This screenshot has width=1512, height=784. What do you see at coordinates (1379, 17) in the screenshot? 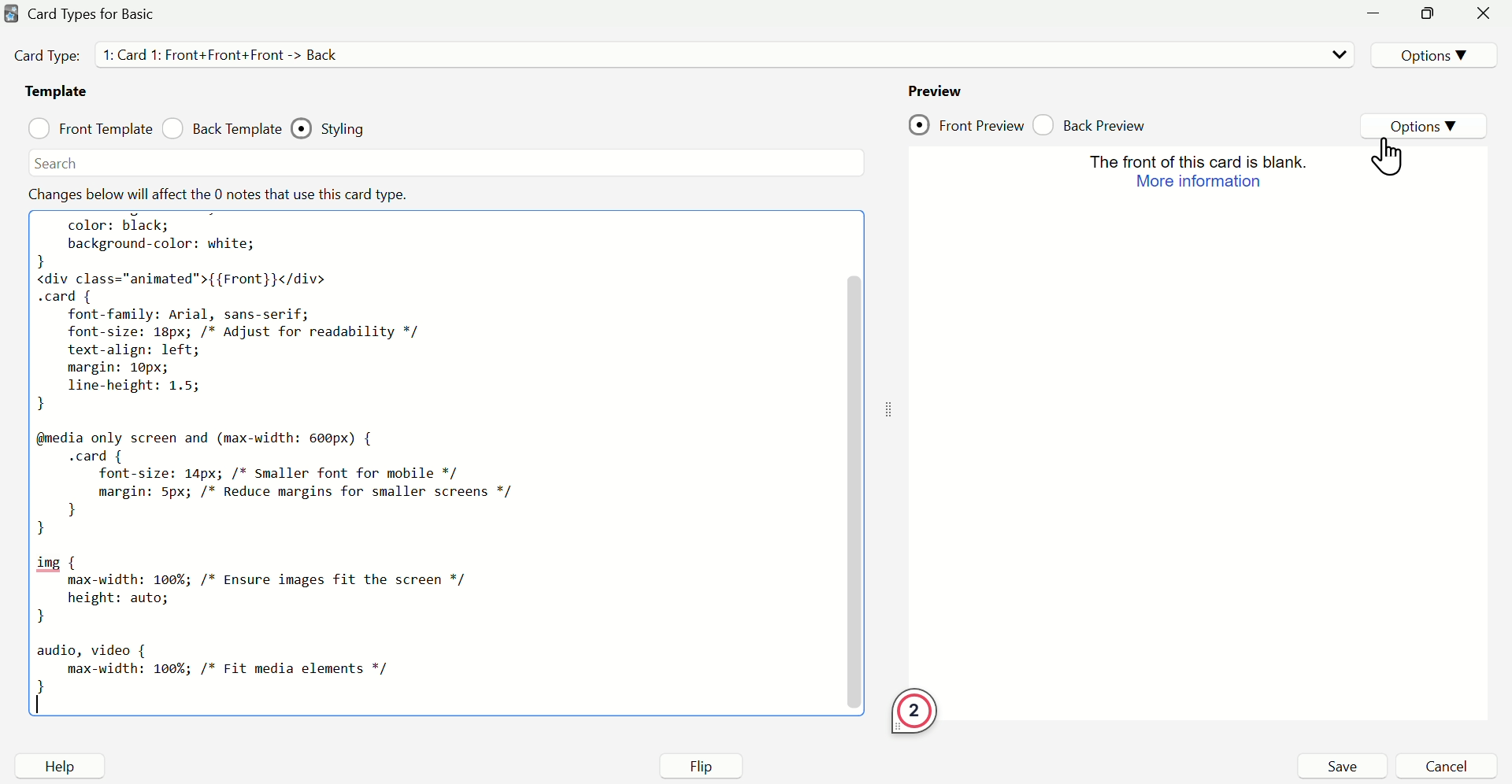
I see `minimize` at bounding box center [1379, 17].